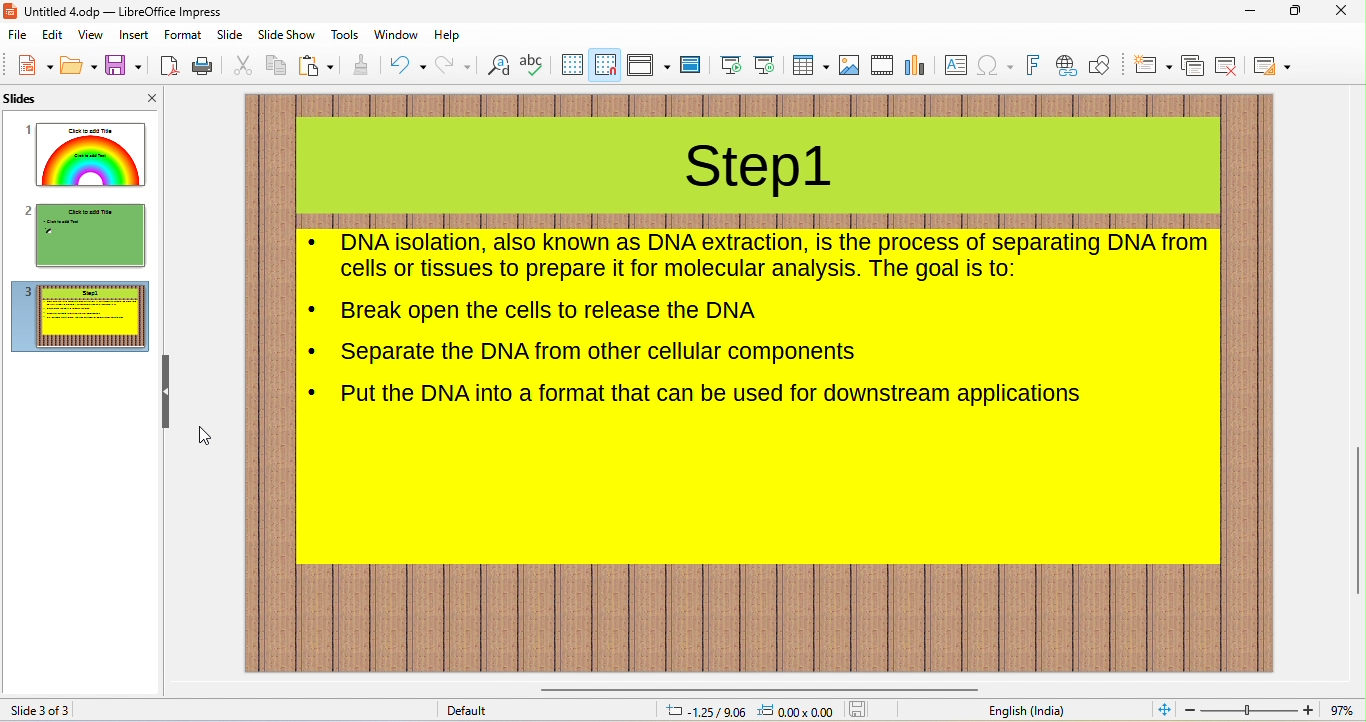 The width and height of the screenshot is (1366, 722). What do you see at coordinates (691, 66) in the screenshot?
I see `master slide` at bounding box center [691, 66].